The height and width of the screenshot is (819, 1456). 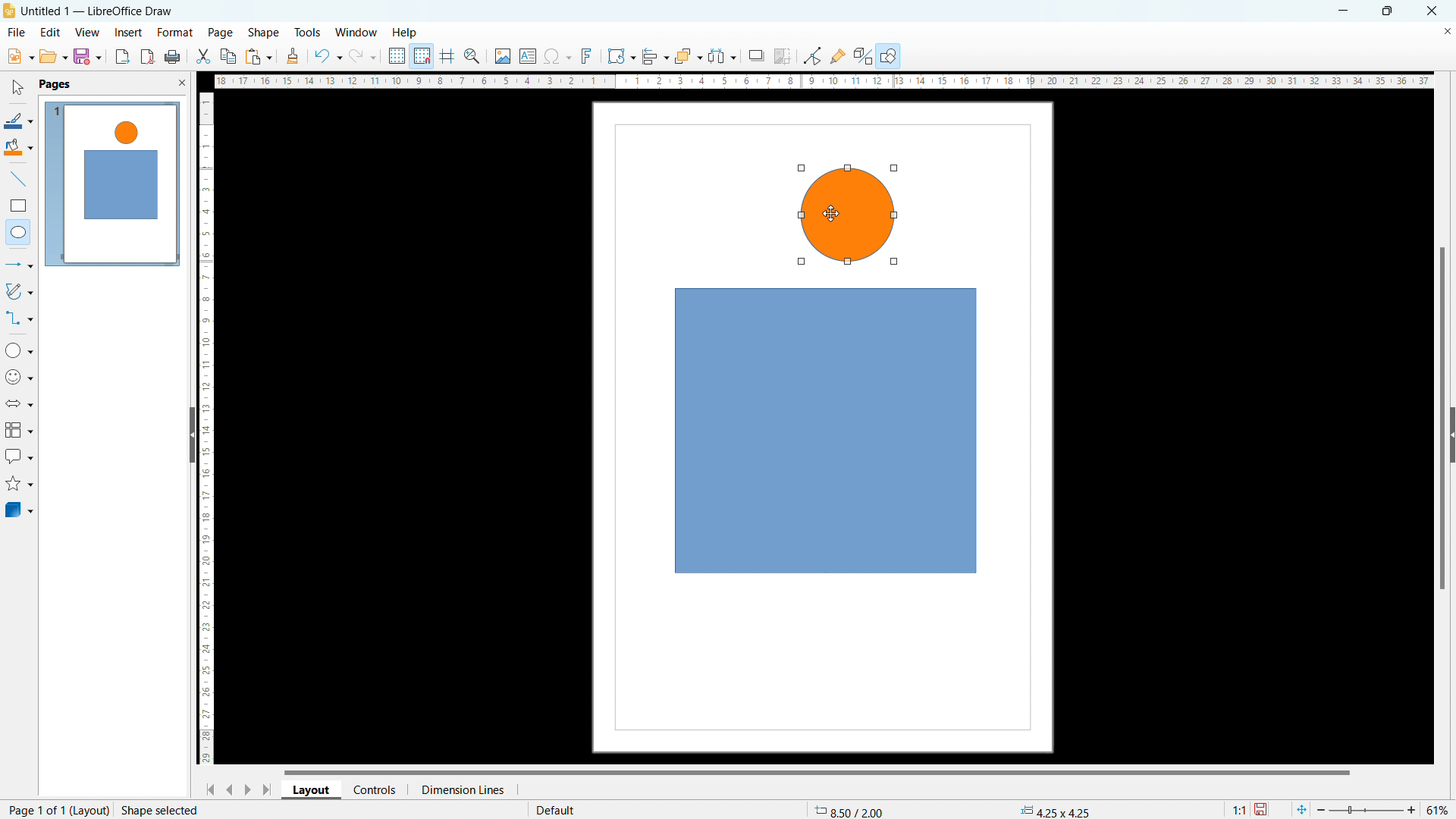 What do you see at coordinates (54, 83) in the screenshot?
I see `pages` at bounding box center [54, 83].